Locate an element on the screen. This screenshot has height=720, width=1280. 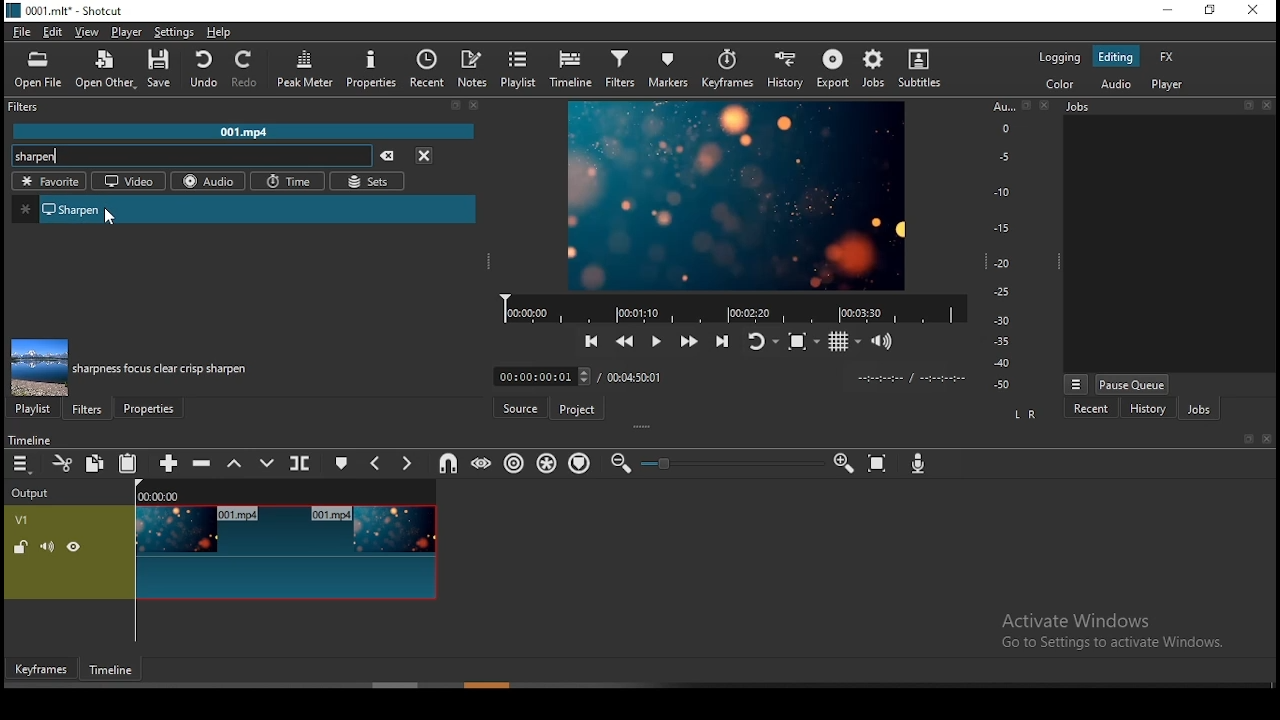
paste is located at coordinates (127, 464).